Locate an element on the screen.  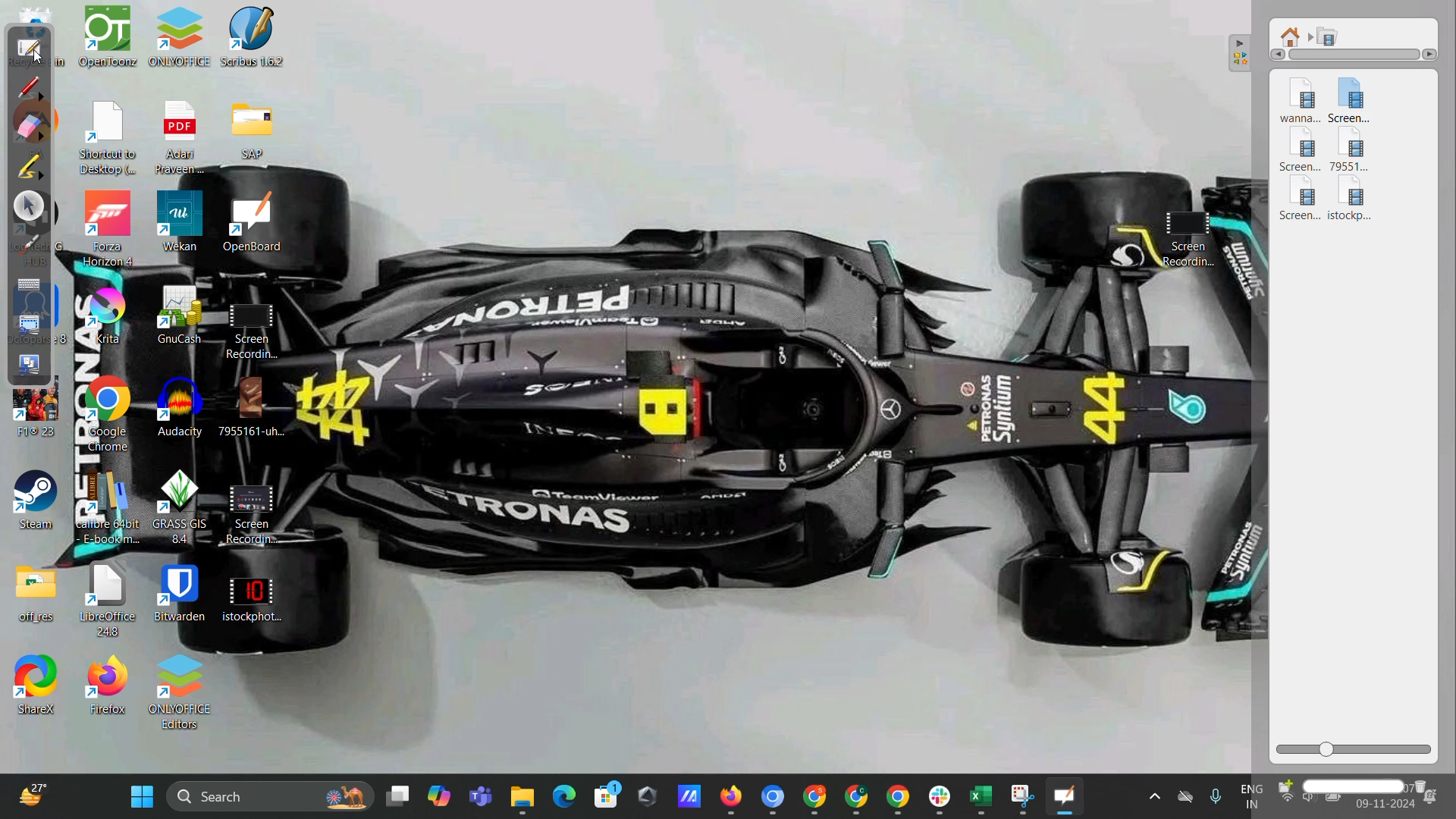
display virtual keyboard is located at coordinates (30, 287).